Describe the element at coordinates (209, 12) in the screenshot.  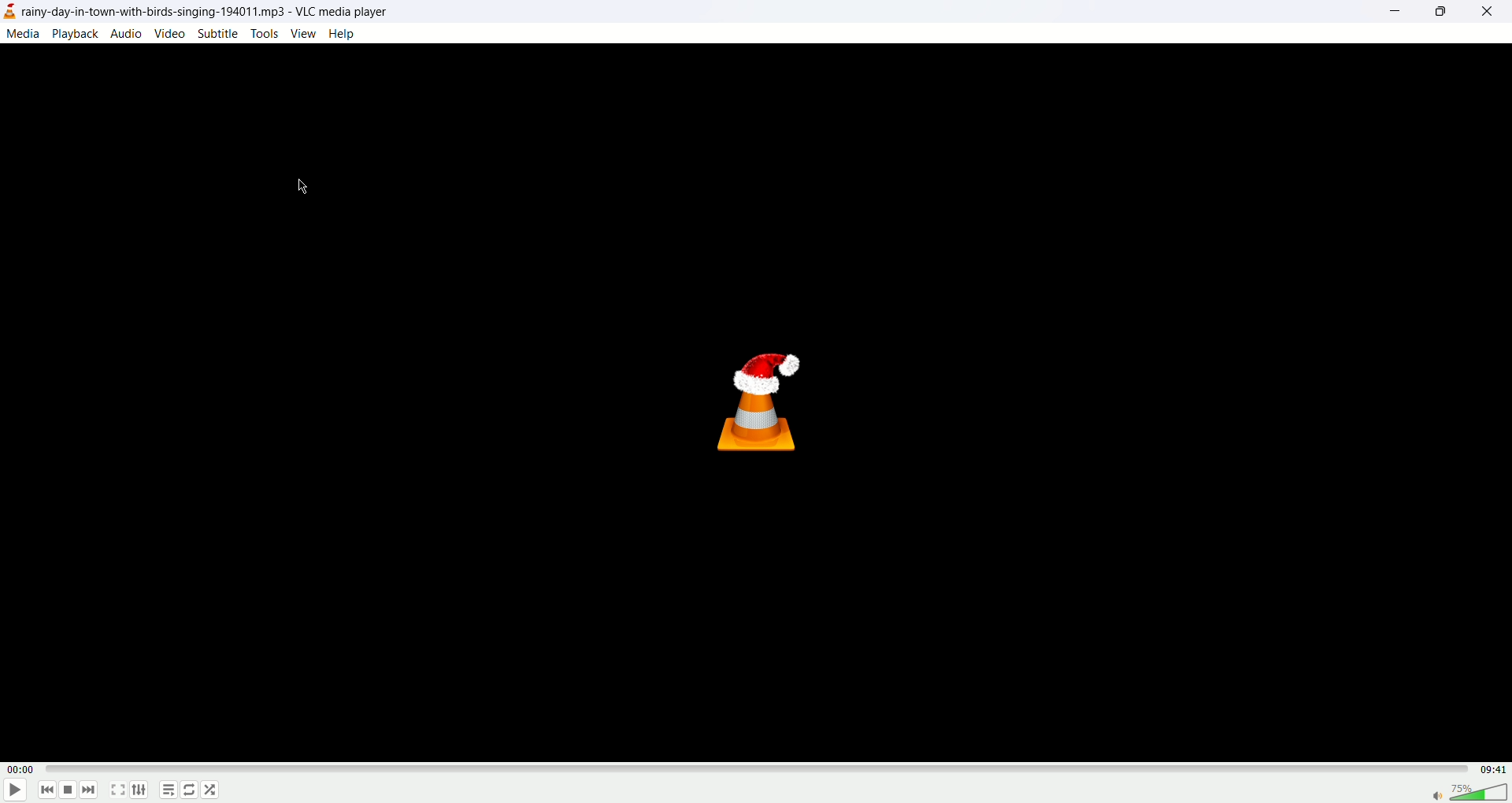
I see `y-day-in-town-with-birds-singing-194011.mp3 - VLC media player` at that location.